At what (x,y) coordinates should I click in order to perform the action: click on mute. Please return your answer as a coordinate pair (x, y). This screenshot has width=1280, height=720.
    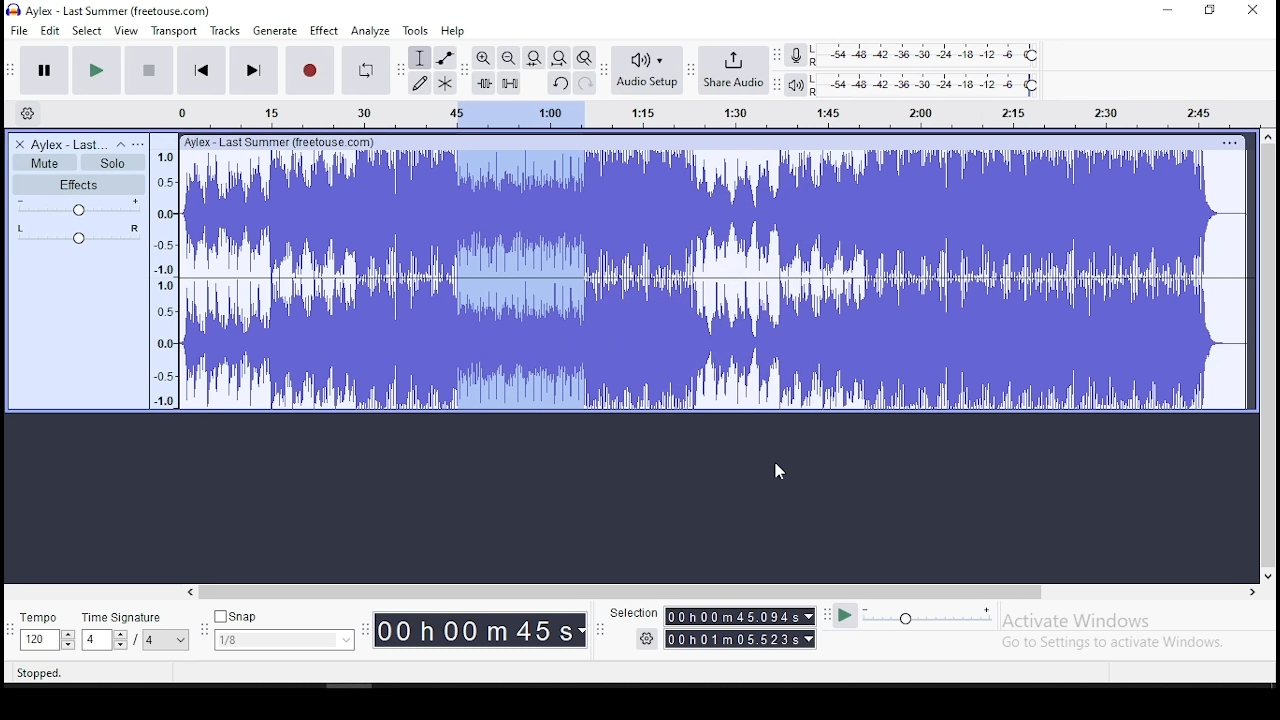
    Looking at the image, I should click on (45, 162).